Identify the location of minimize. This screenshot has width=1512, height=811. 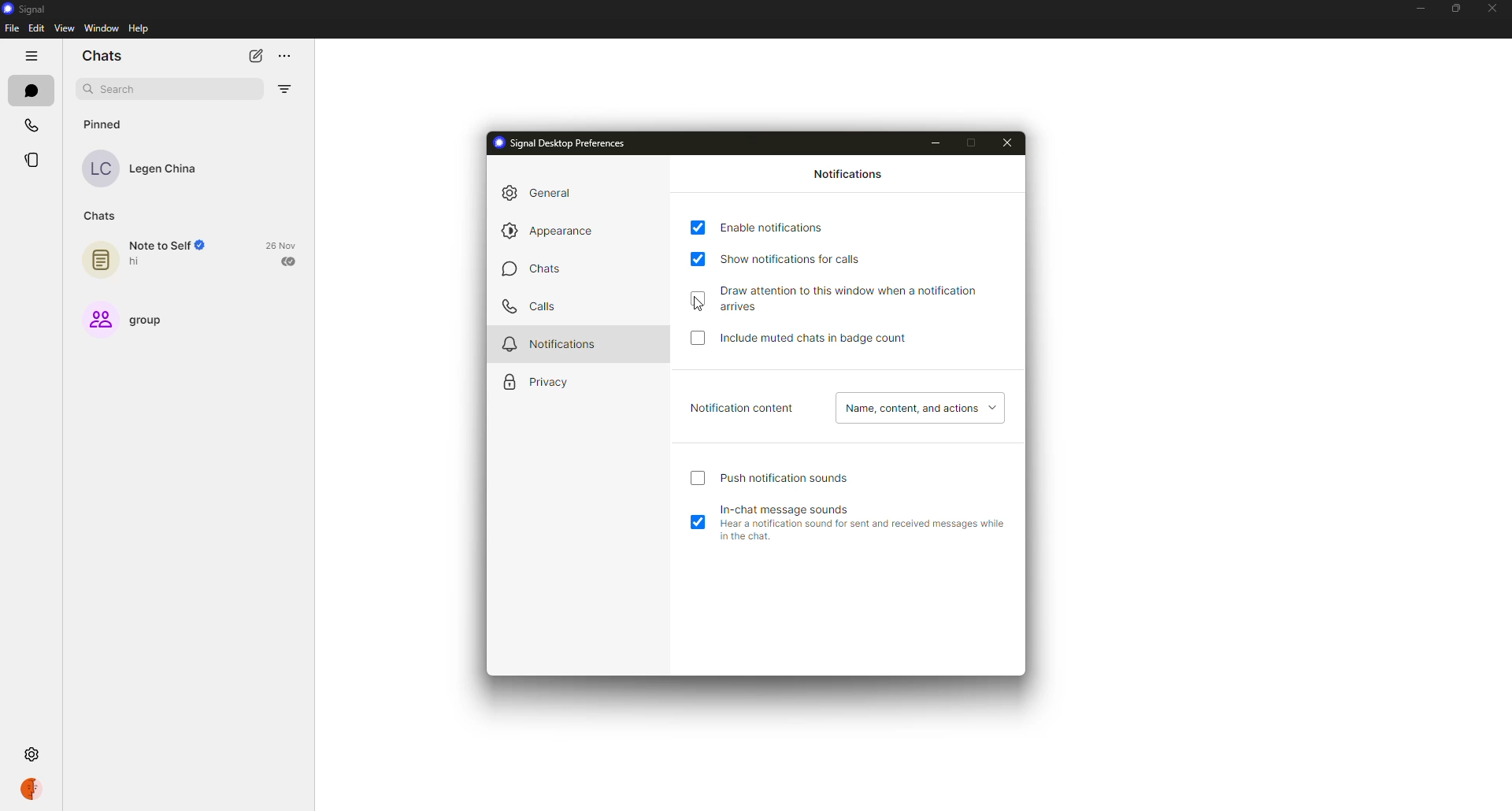
(1418, 7).